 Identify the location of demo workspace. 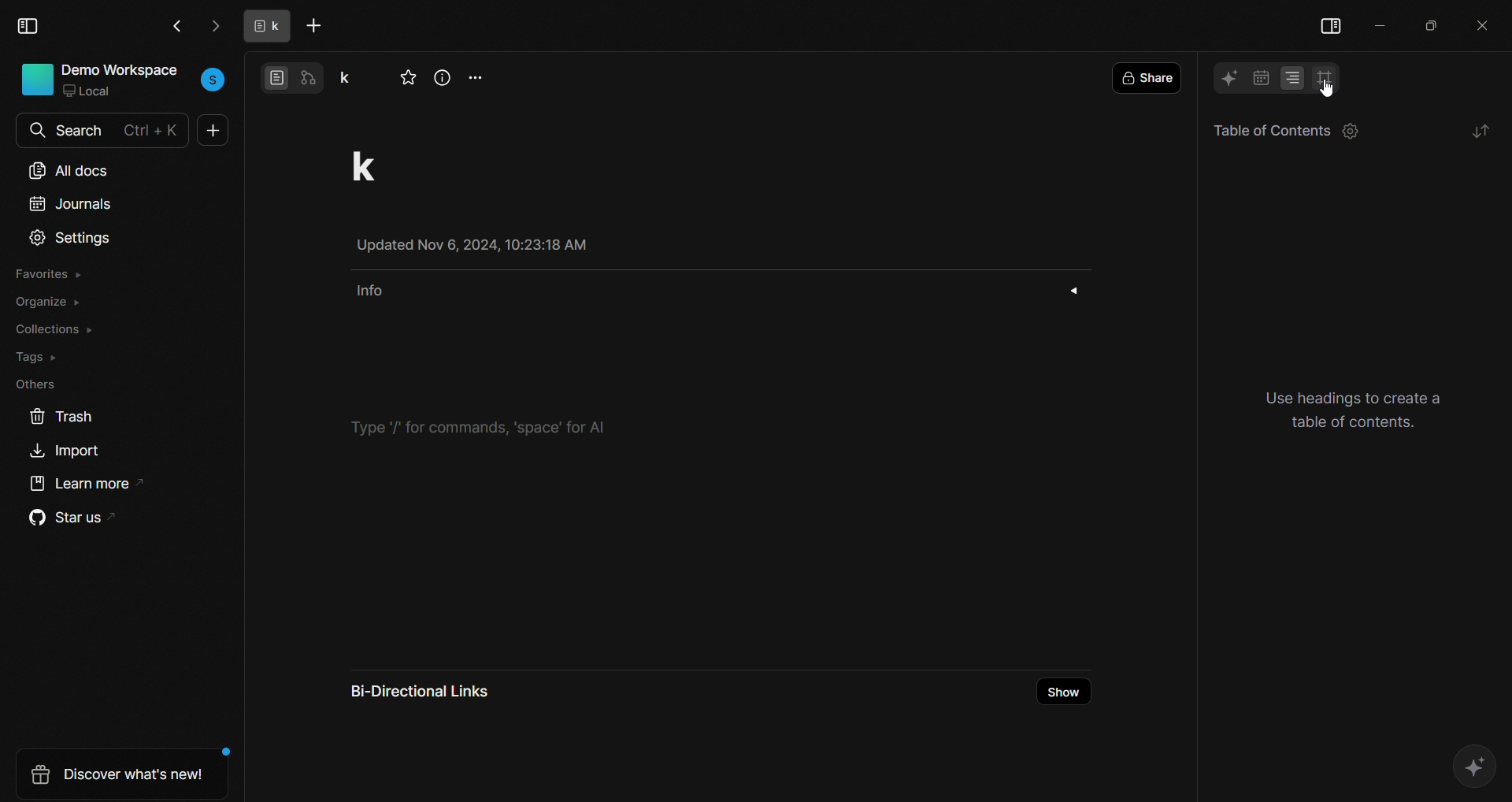
(122, 70).